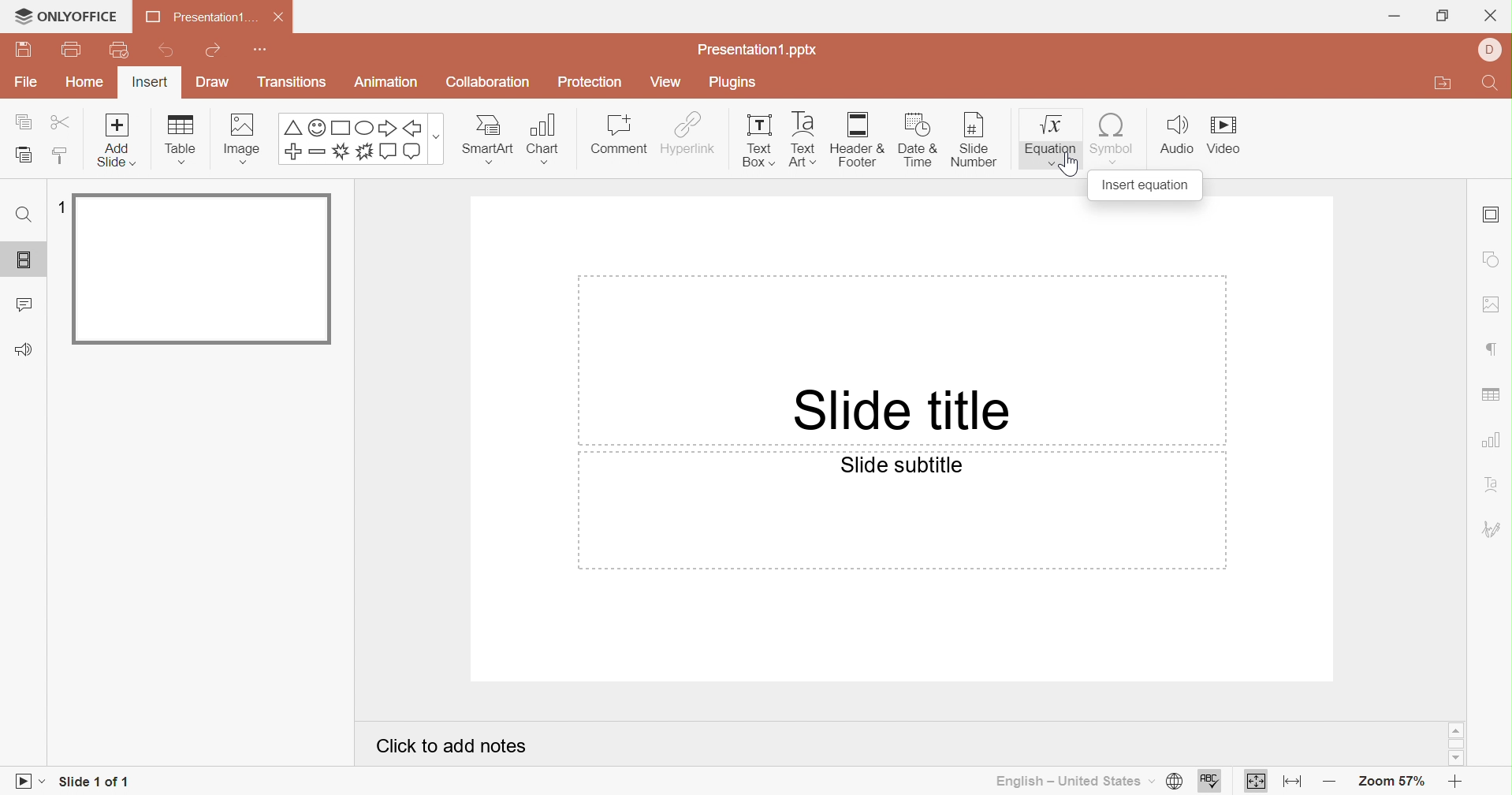 The image size is (1512, 795). I want to click on Text Art, so click(805, 140).